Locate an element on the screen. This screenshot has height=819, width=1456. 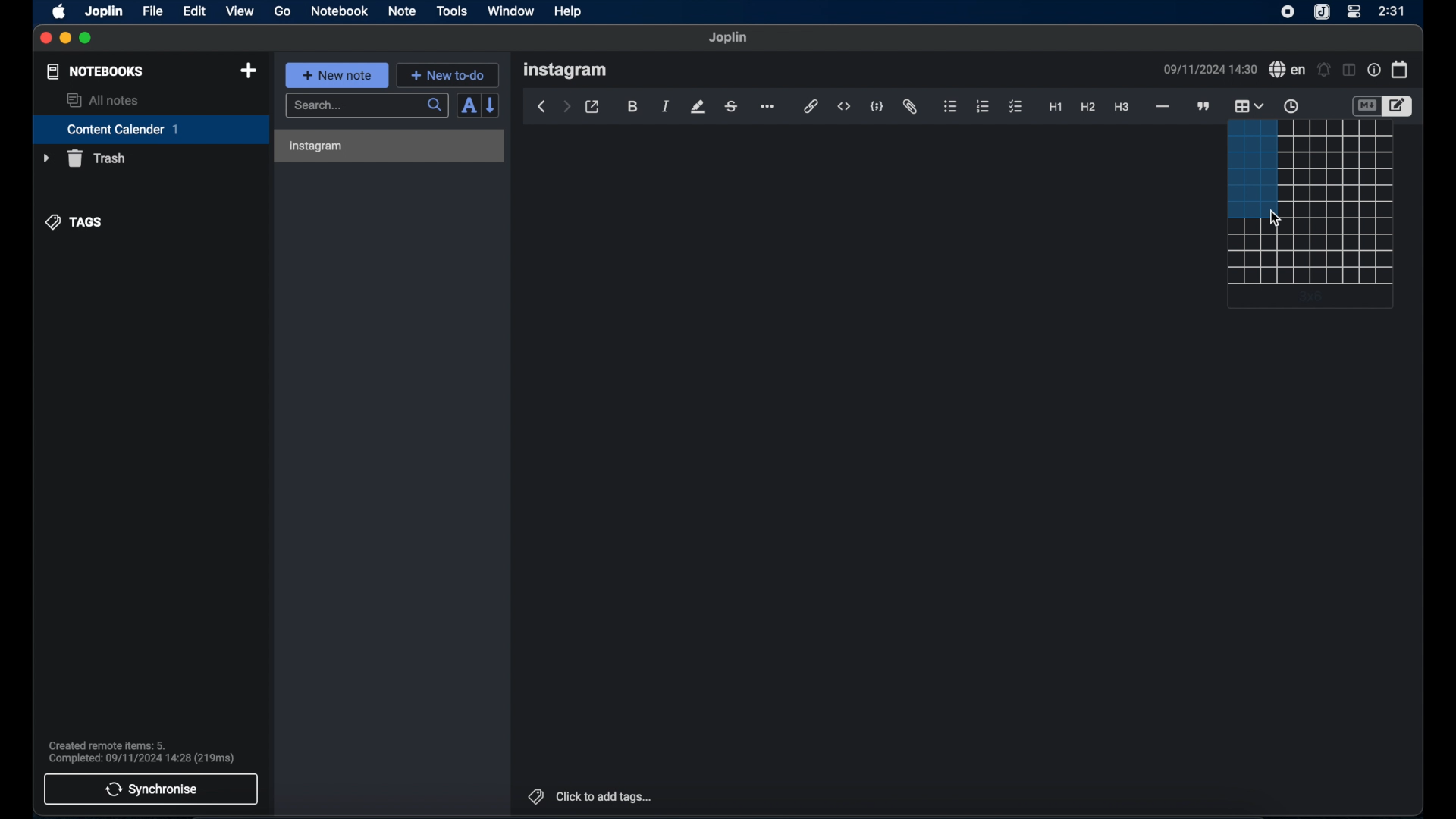
more options is located at coordinates (766, 106).